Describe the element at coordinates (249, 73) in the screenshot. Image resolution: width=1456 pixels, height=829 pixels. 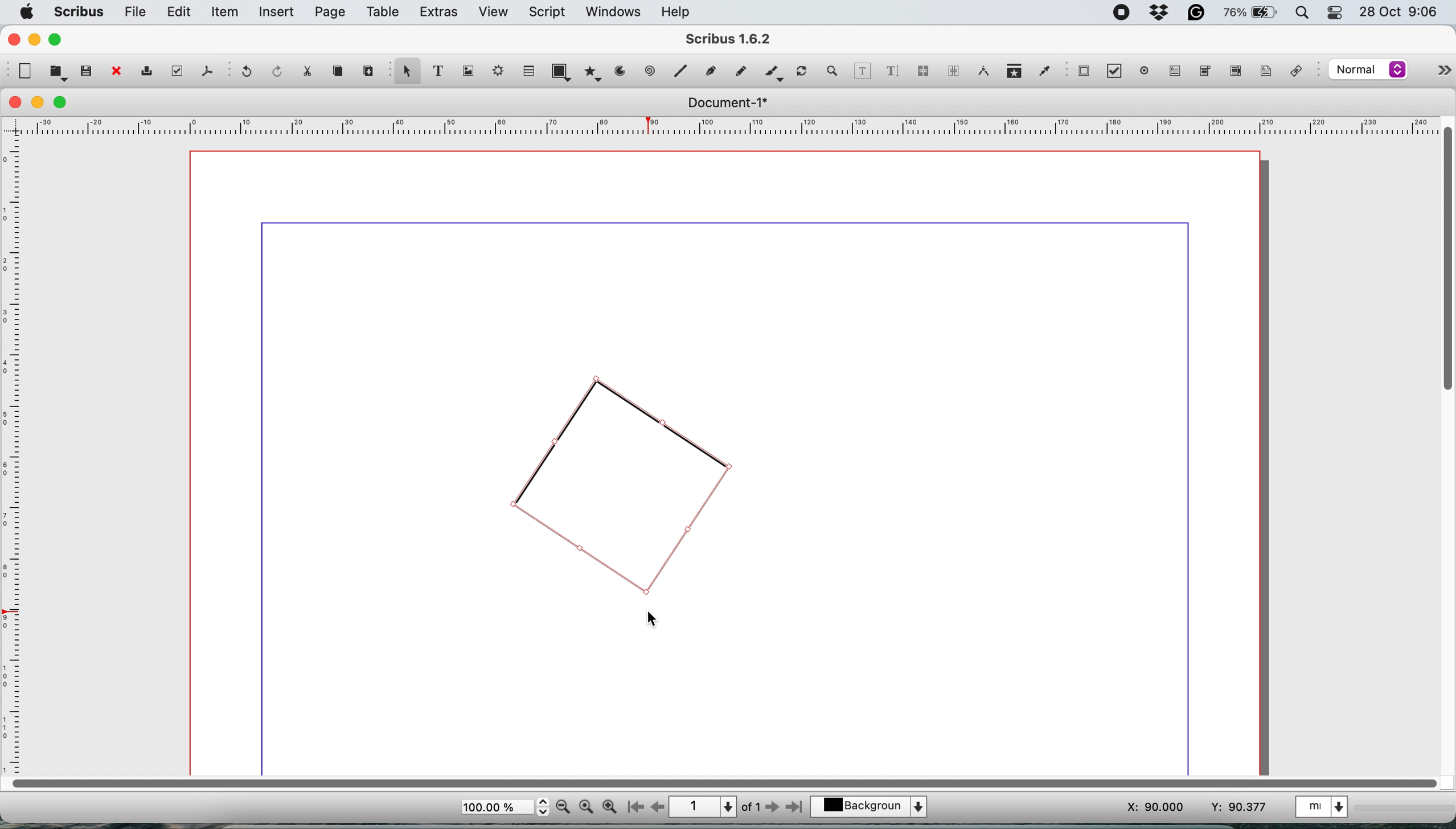
I see `undo` at that location.